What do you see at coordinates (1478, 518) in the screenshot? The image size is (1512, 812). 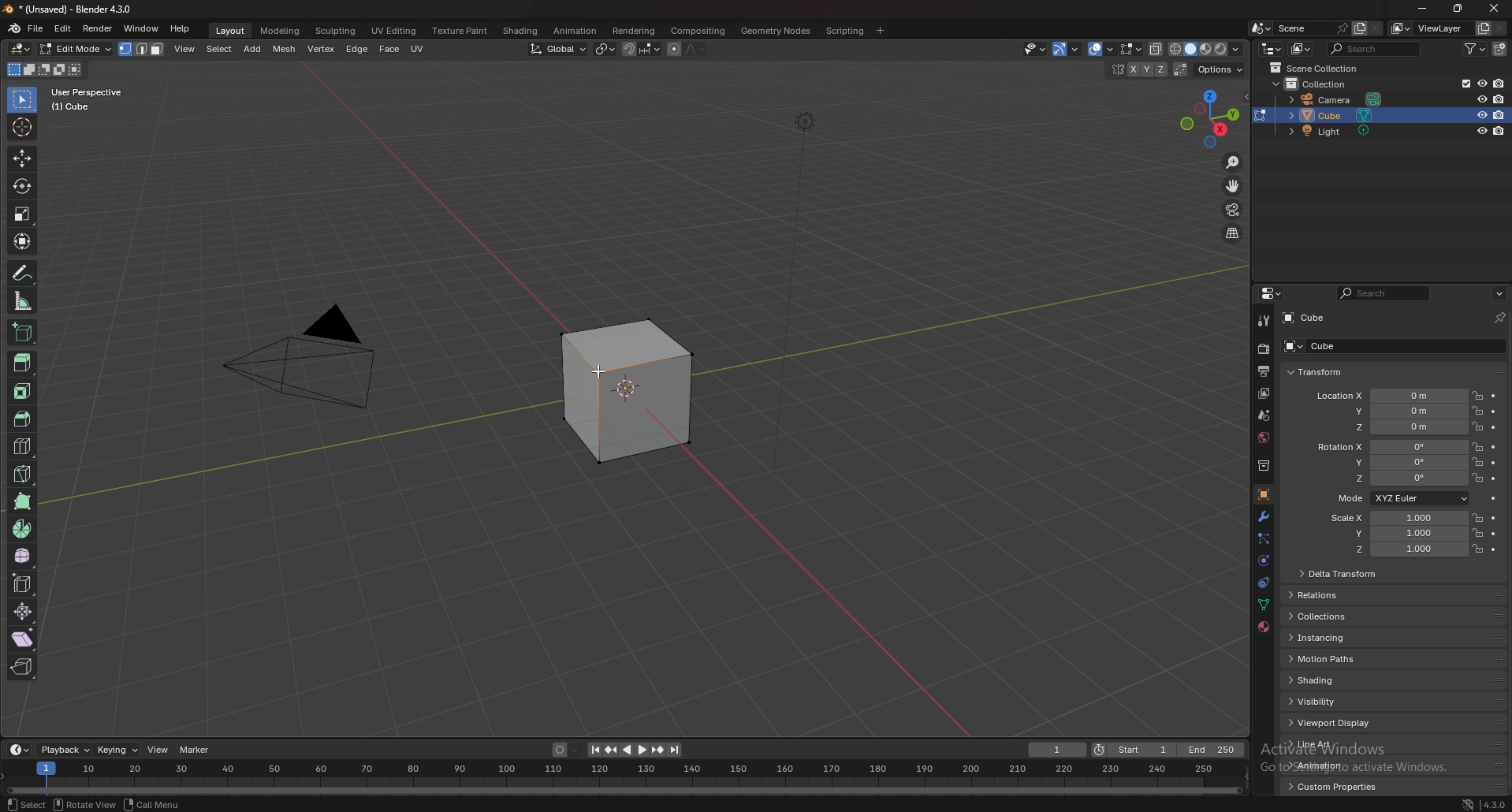 I see `lock location` at bounding box center [1478, 518].